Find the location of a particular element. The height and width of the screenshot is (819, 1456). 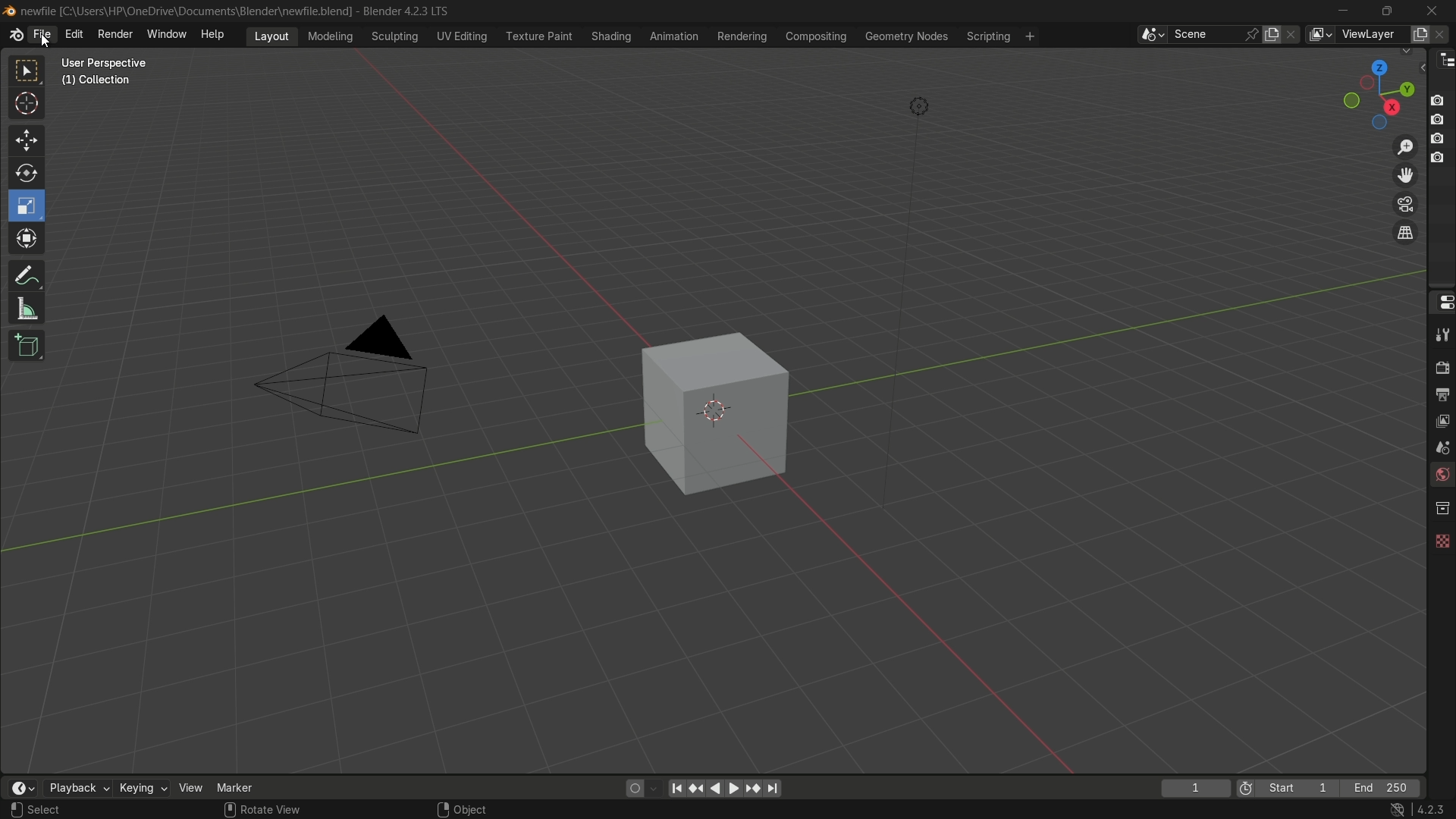

properties is located at coordinates (1441, 301).